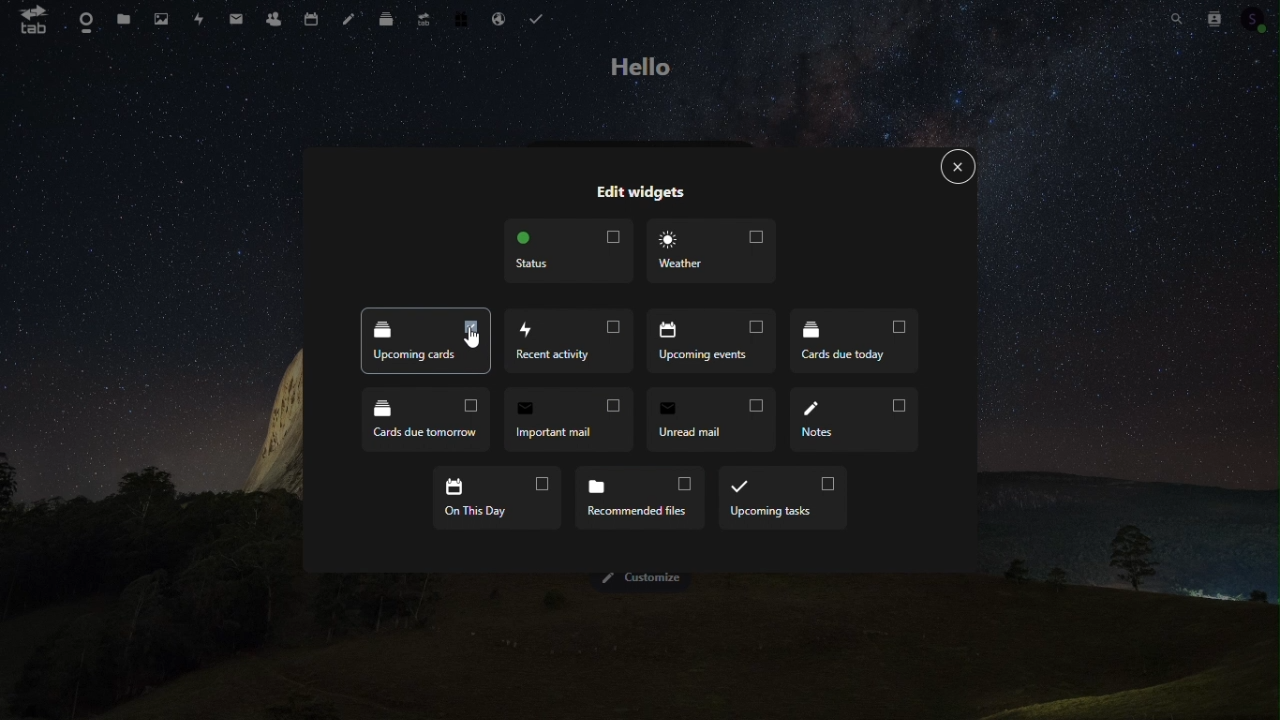  Describe the element at coordinates (422, 21) in the screenshot. I see `Upgrade` at that location.